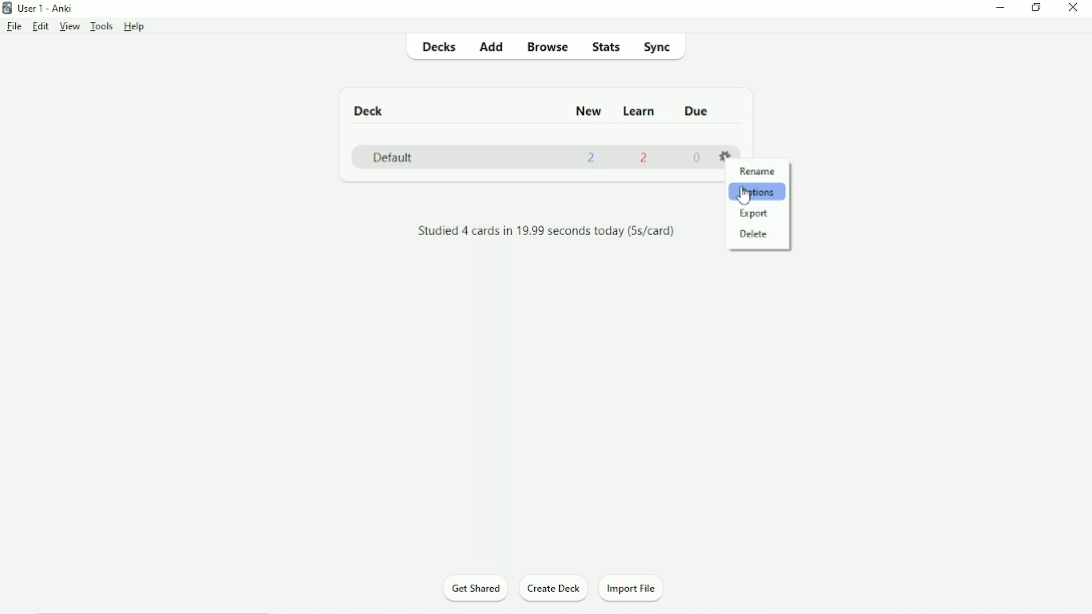 Image resolution: width=1092 pixels, height=614 pixels. Describe the element at coordinates (724, 154) in the screenshot. I see `Settings` at that location.